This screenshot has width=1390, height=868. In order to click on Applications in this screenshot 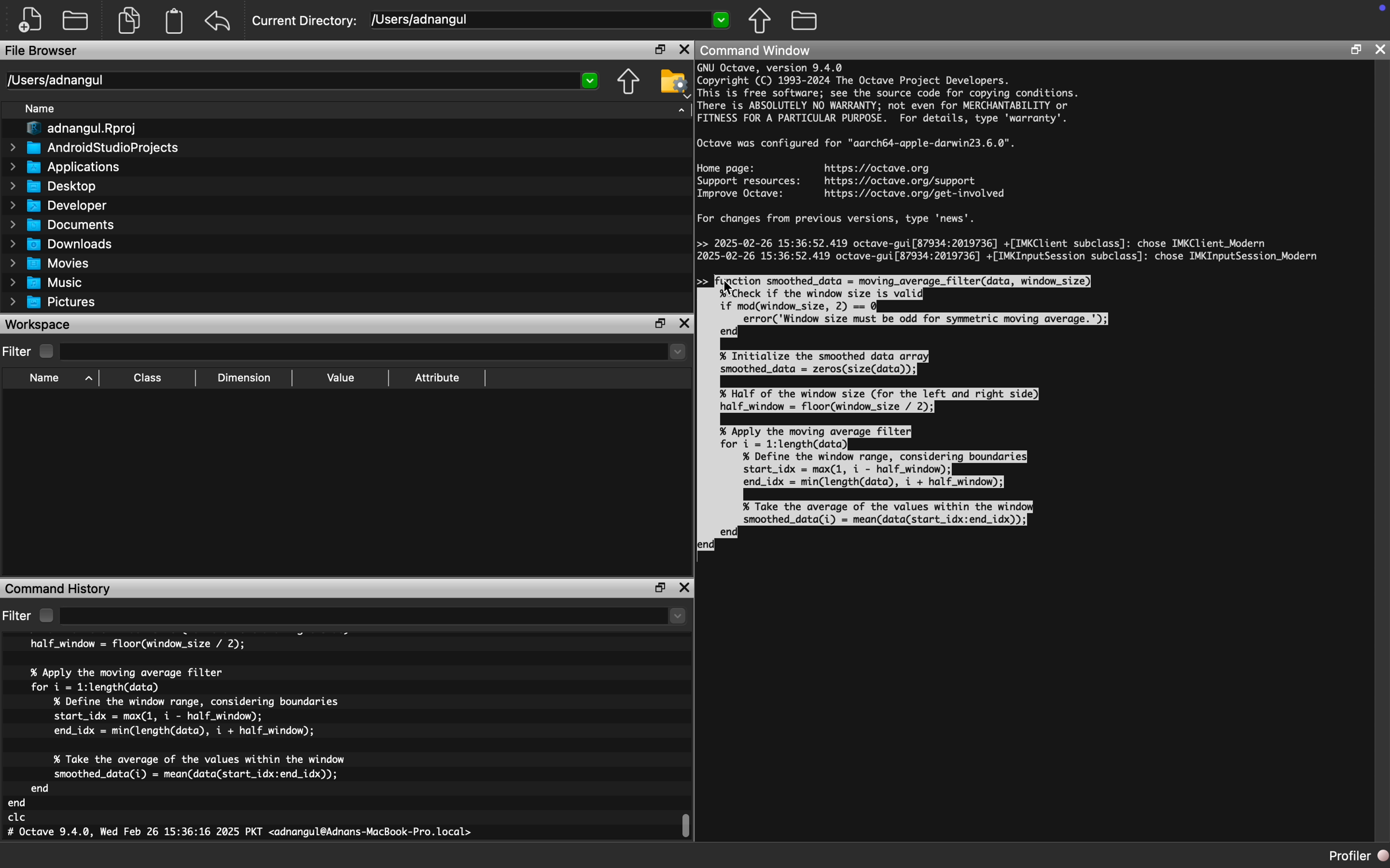, I will do `click(64, 169)`.